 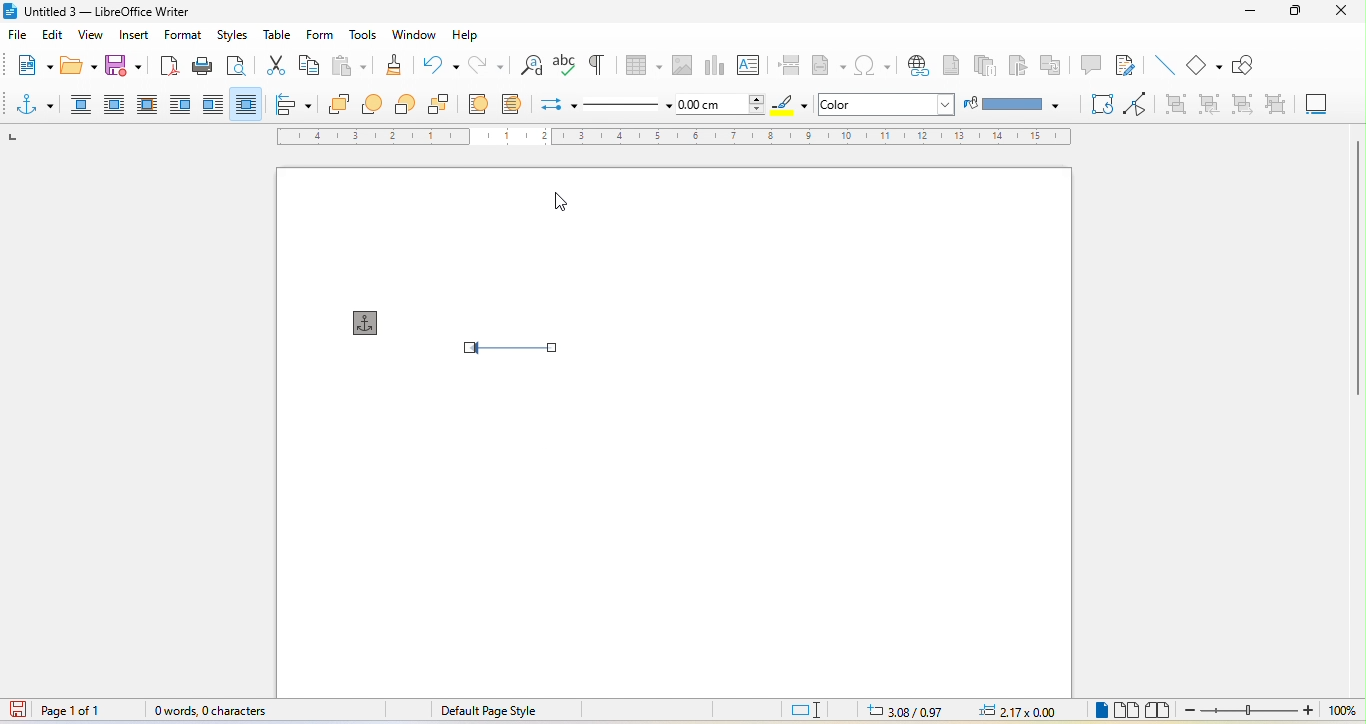 I want to click on file, so click(x=21, y=36).